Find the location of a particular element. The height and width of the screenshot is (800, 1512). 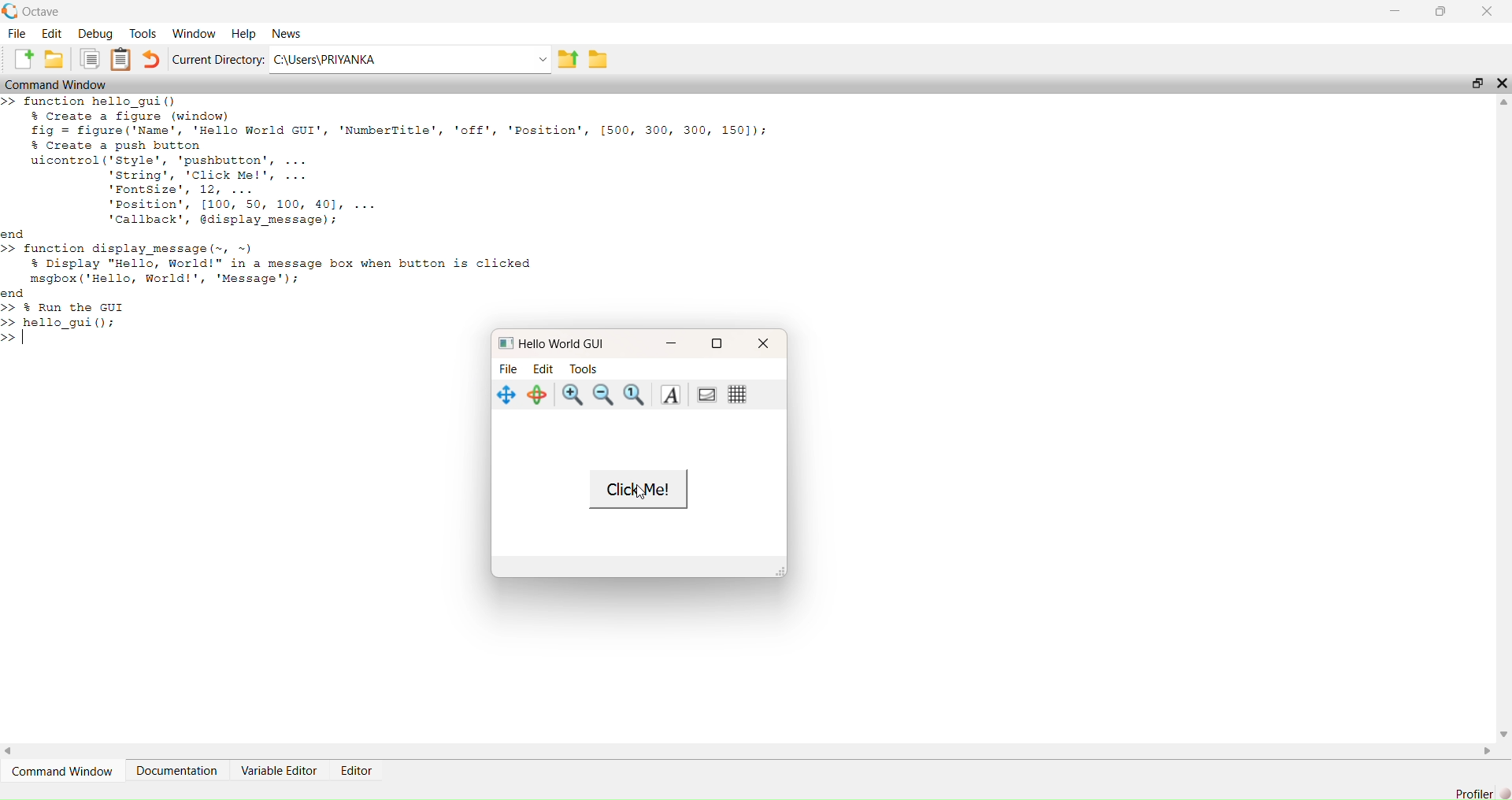

Edit is located at coordinates (52, 33).